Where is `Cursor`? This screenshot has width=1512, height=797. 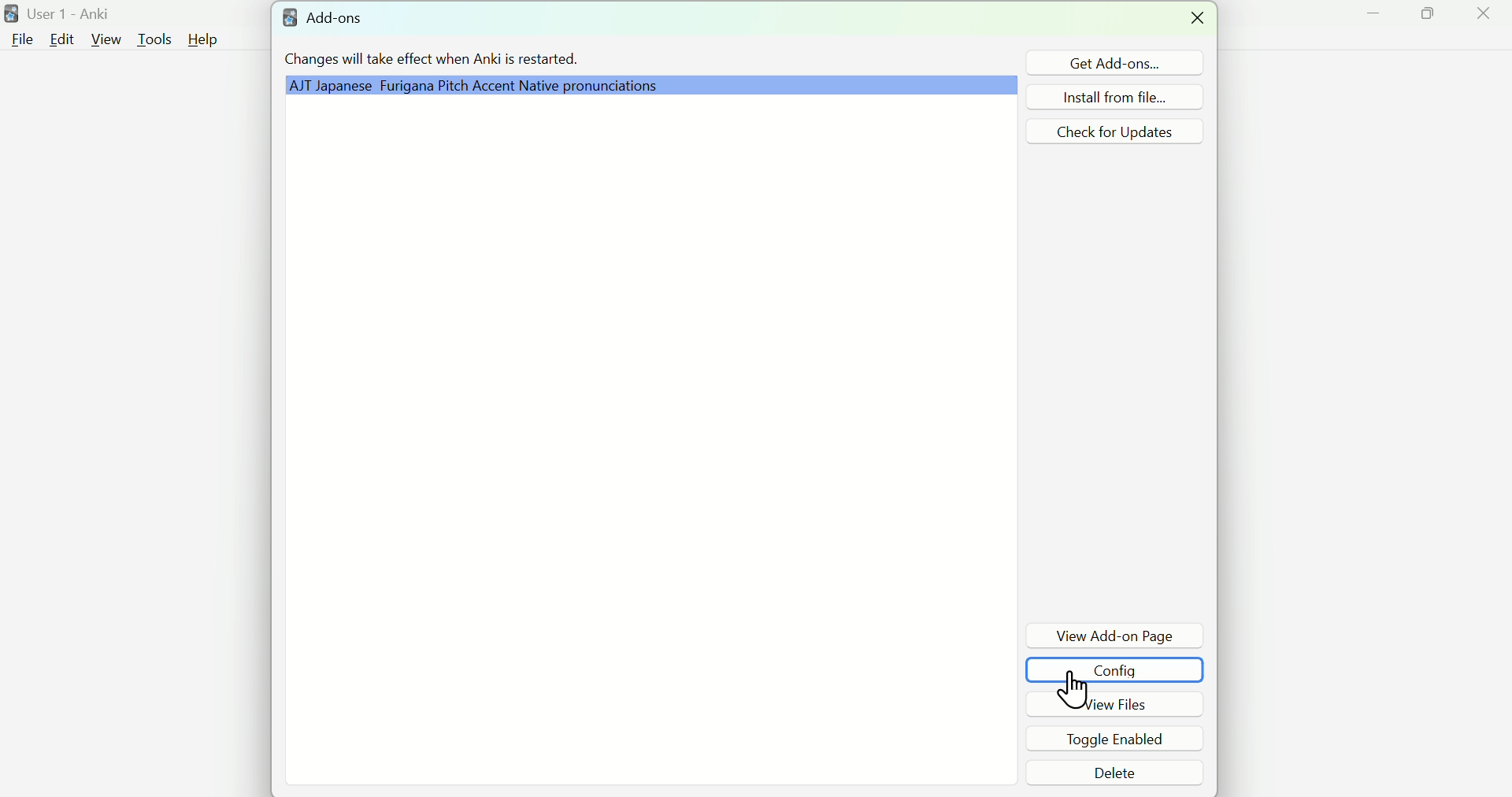
Cursor is located at coordinates (1072, 689).